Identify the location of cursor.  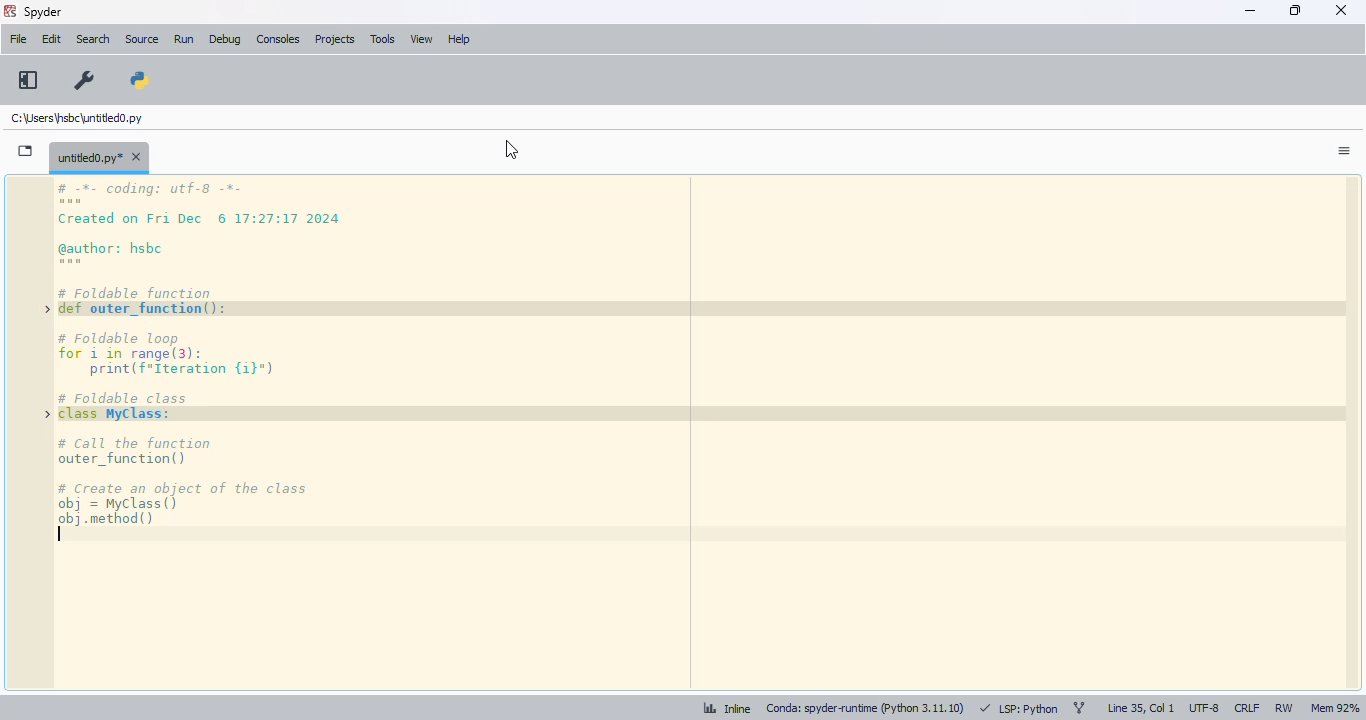
(512, 150).